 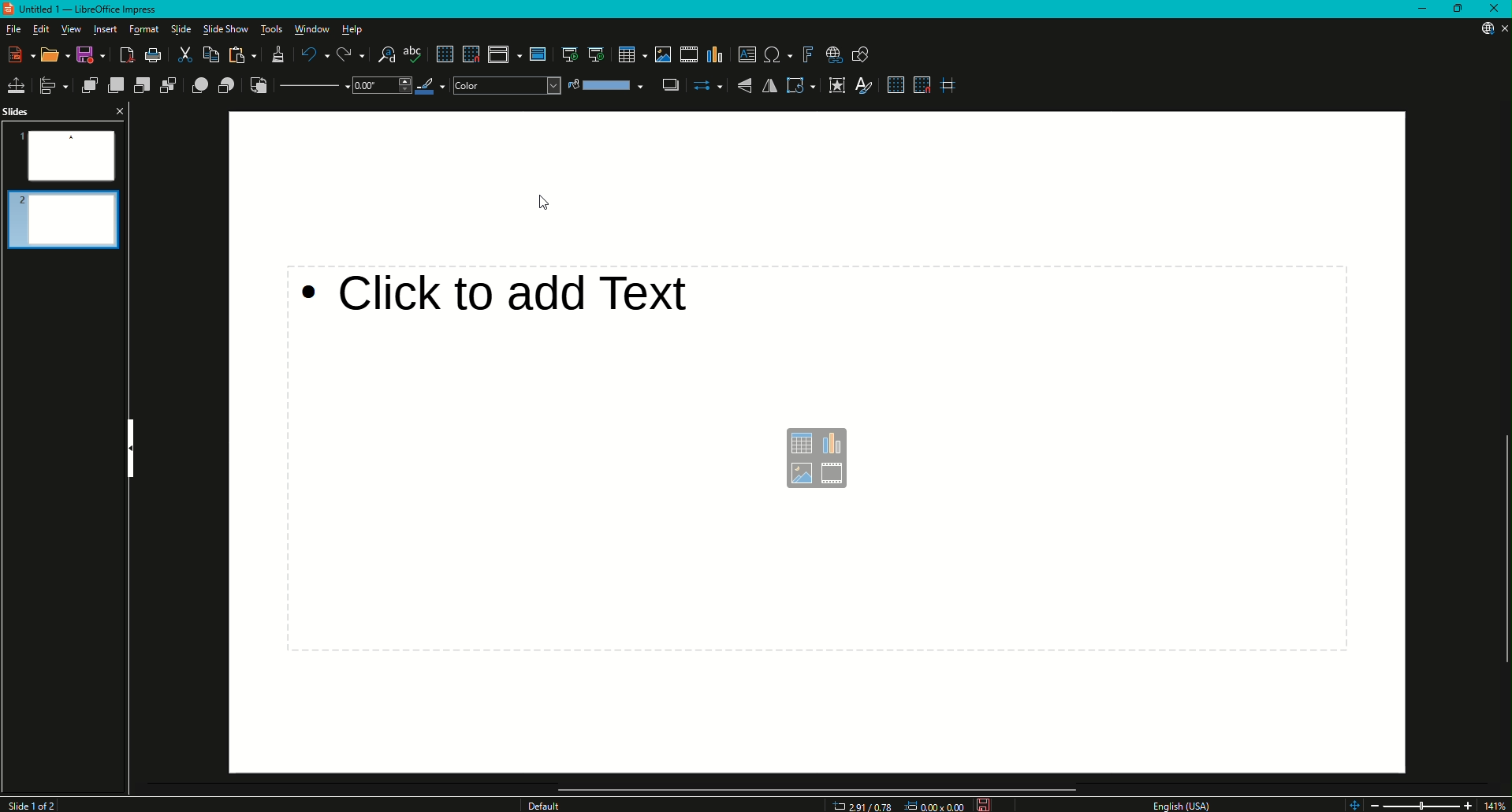 I want to click on Show Draw Function, so click(x=859, y=54).